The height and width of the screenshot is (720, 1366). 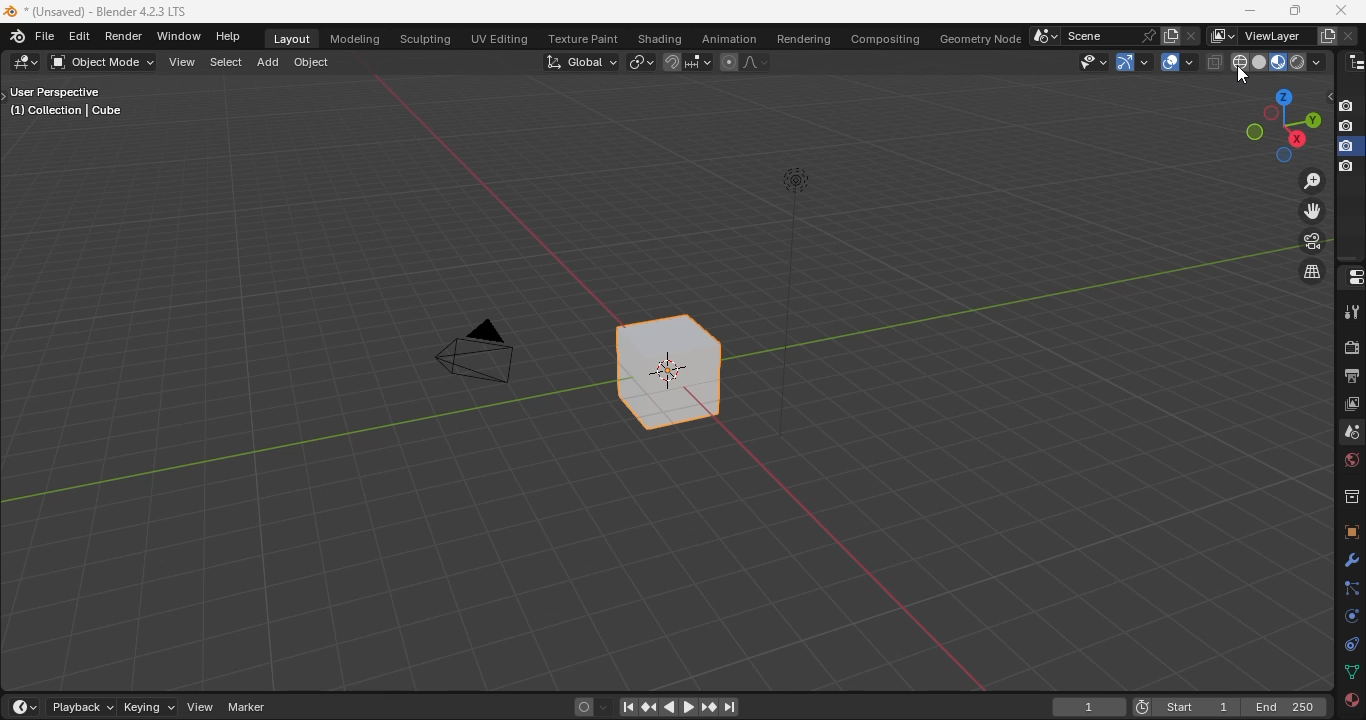 I want to click on disable in renders, so click(x=1349, y=146).